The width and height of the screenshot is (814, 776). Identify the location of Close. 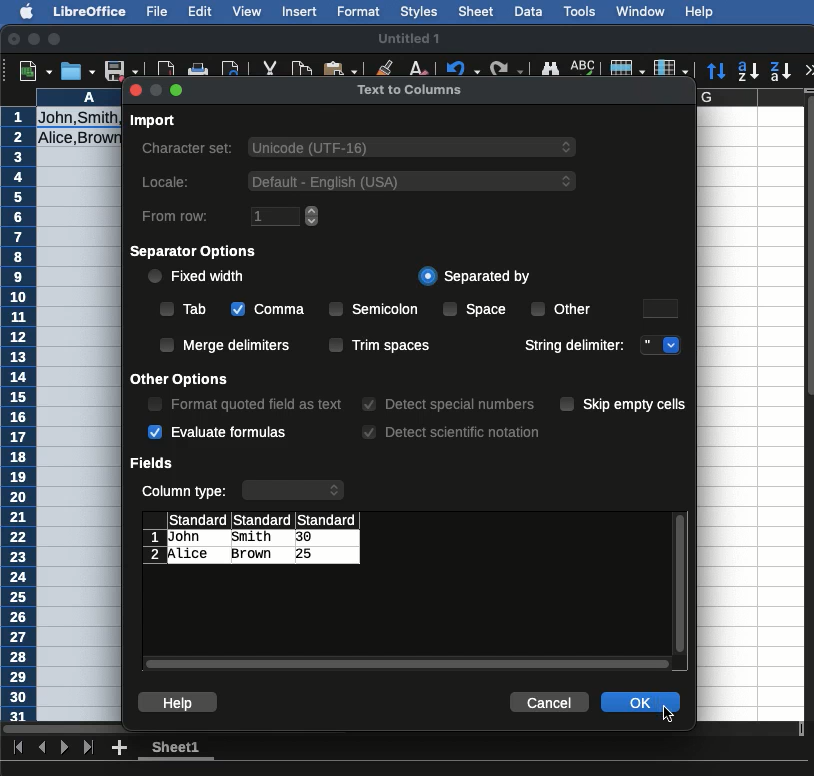
(13, 39).